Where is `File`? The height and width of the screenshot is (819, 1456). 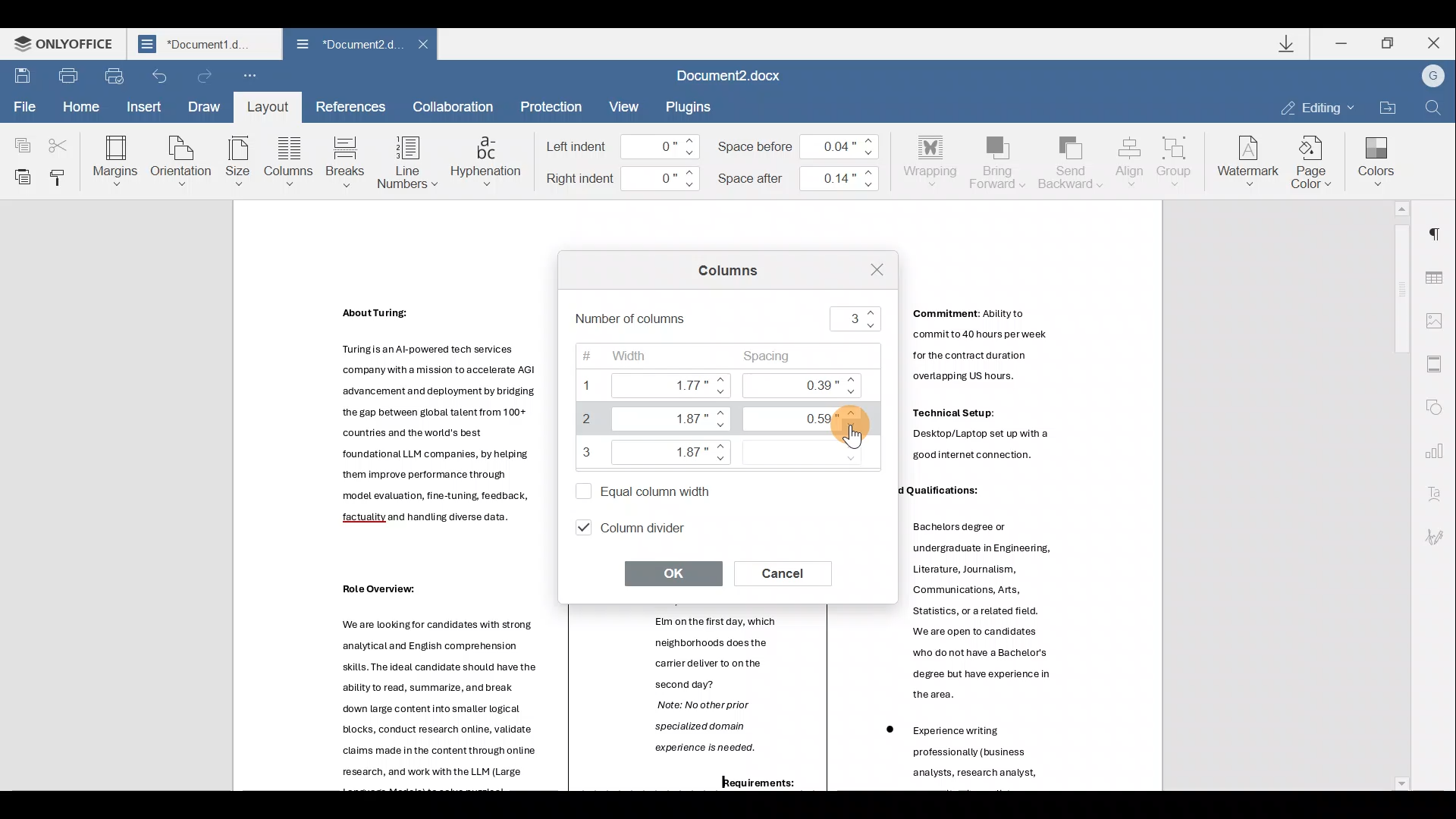
File is located at coordinates (22, 105).